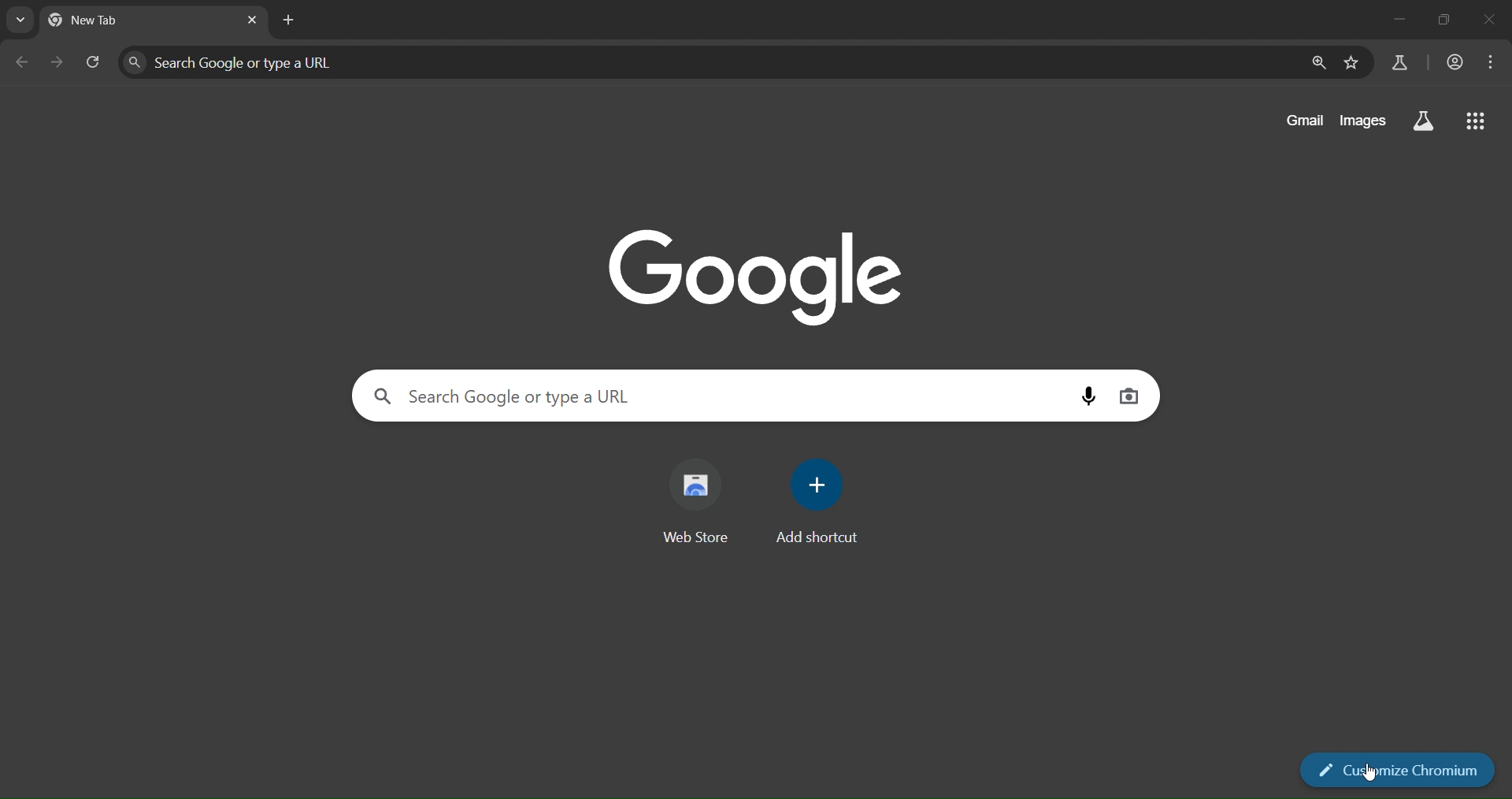 The height and width of the screenshot is (799, 1512). What do you see at coordinates (1369, 775) in the screenshot?
I see `pointer cursor` at bounding box center [1369, 775].